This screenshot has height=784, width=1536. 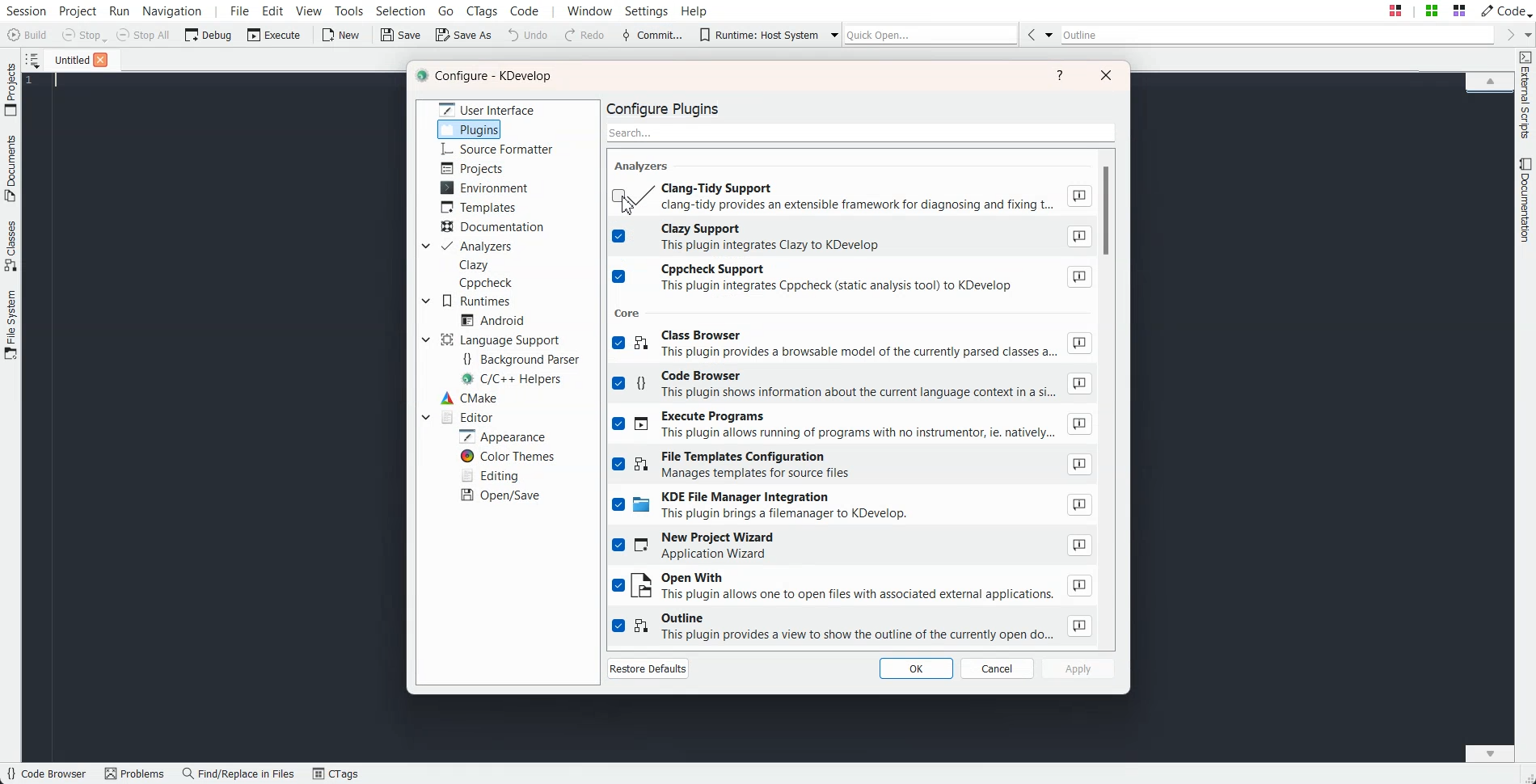 I want to click on Scroll down, so click(x=1490, y=752).